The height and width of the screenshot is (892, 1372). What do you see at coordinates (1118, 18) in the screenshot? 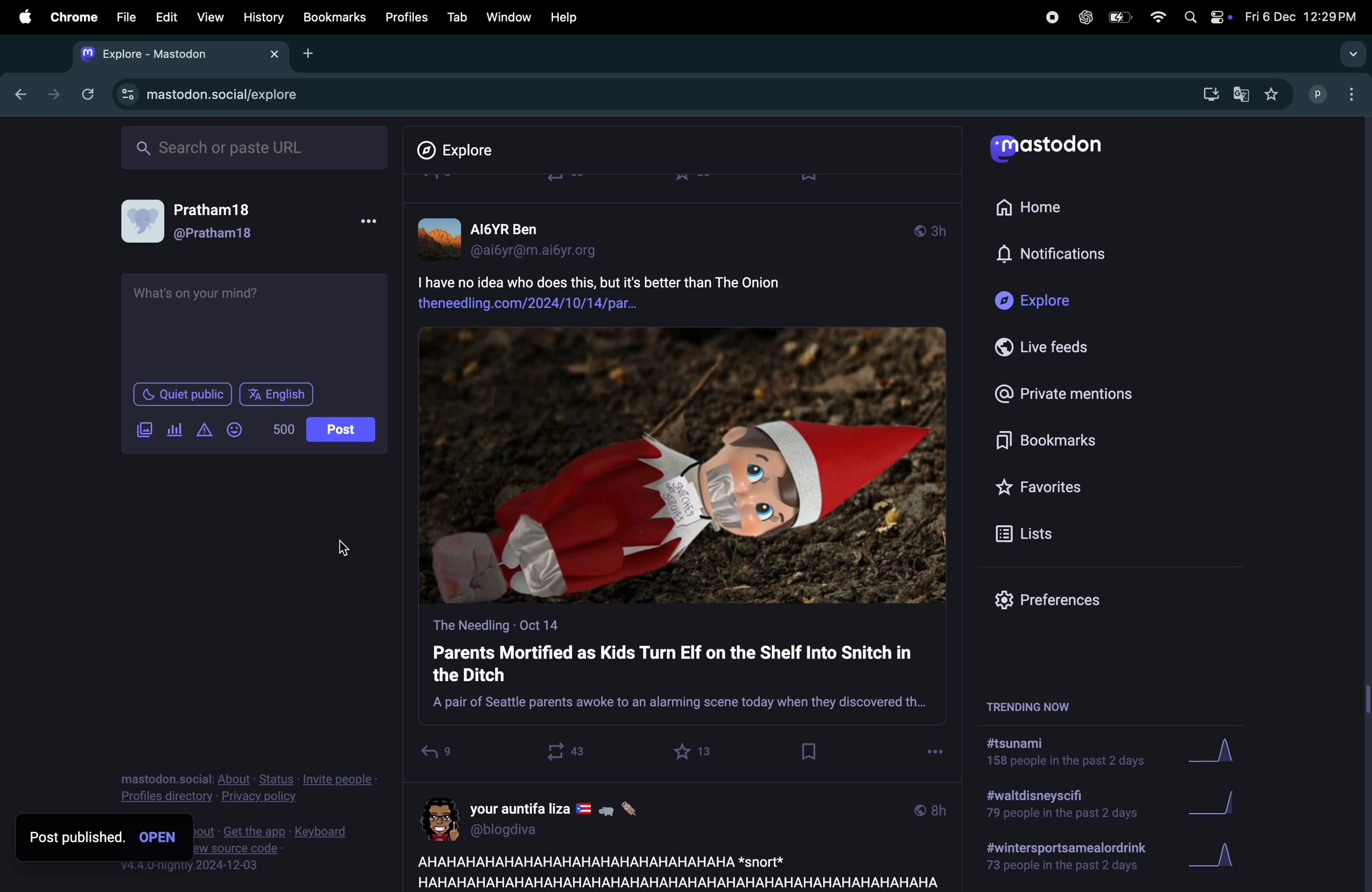
I see `battery` at bounding box center [1118, 18].